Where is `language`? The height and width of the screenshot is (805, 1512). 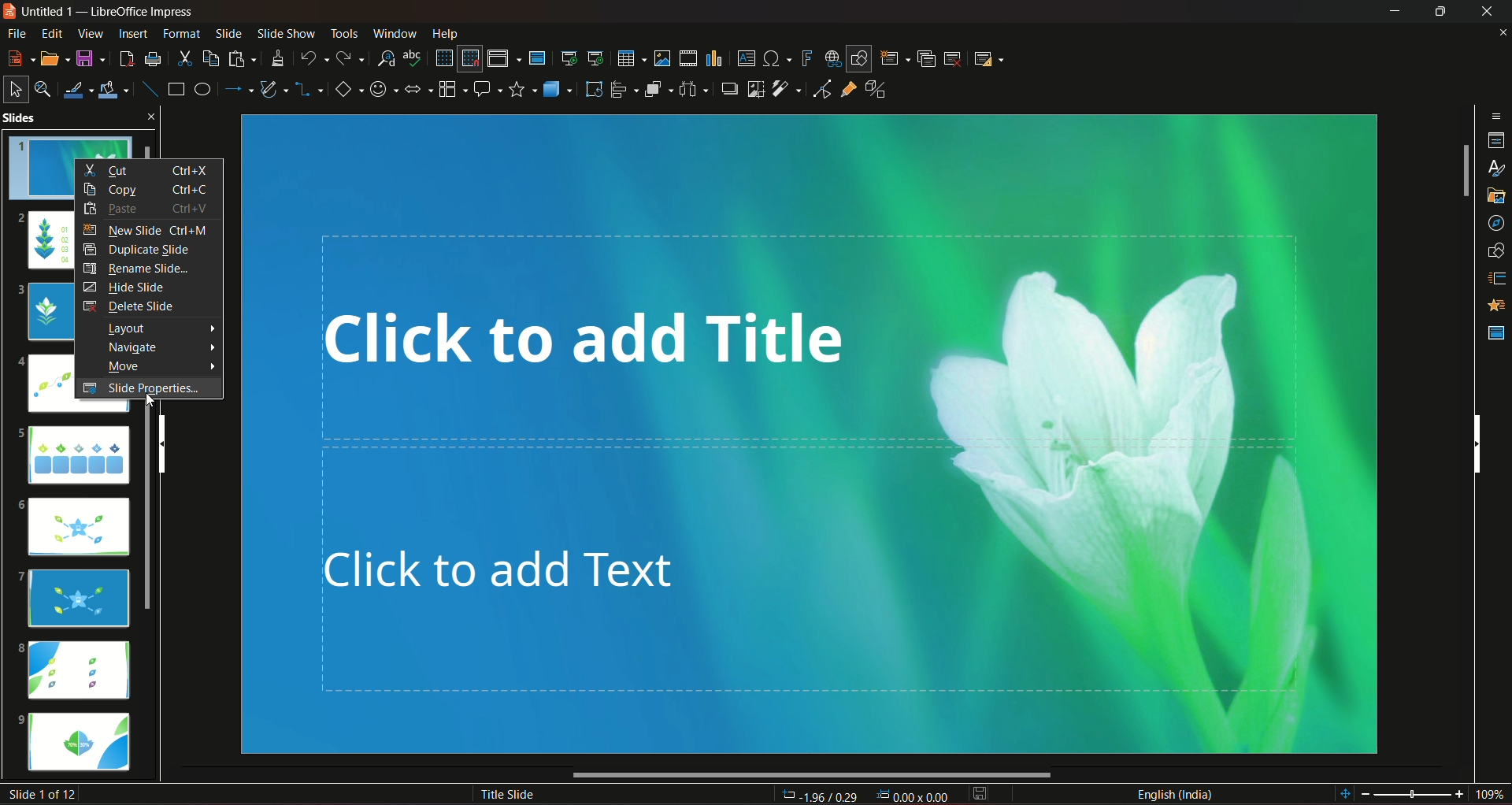 language is located at coordinates (1175, 793).